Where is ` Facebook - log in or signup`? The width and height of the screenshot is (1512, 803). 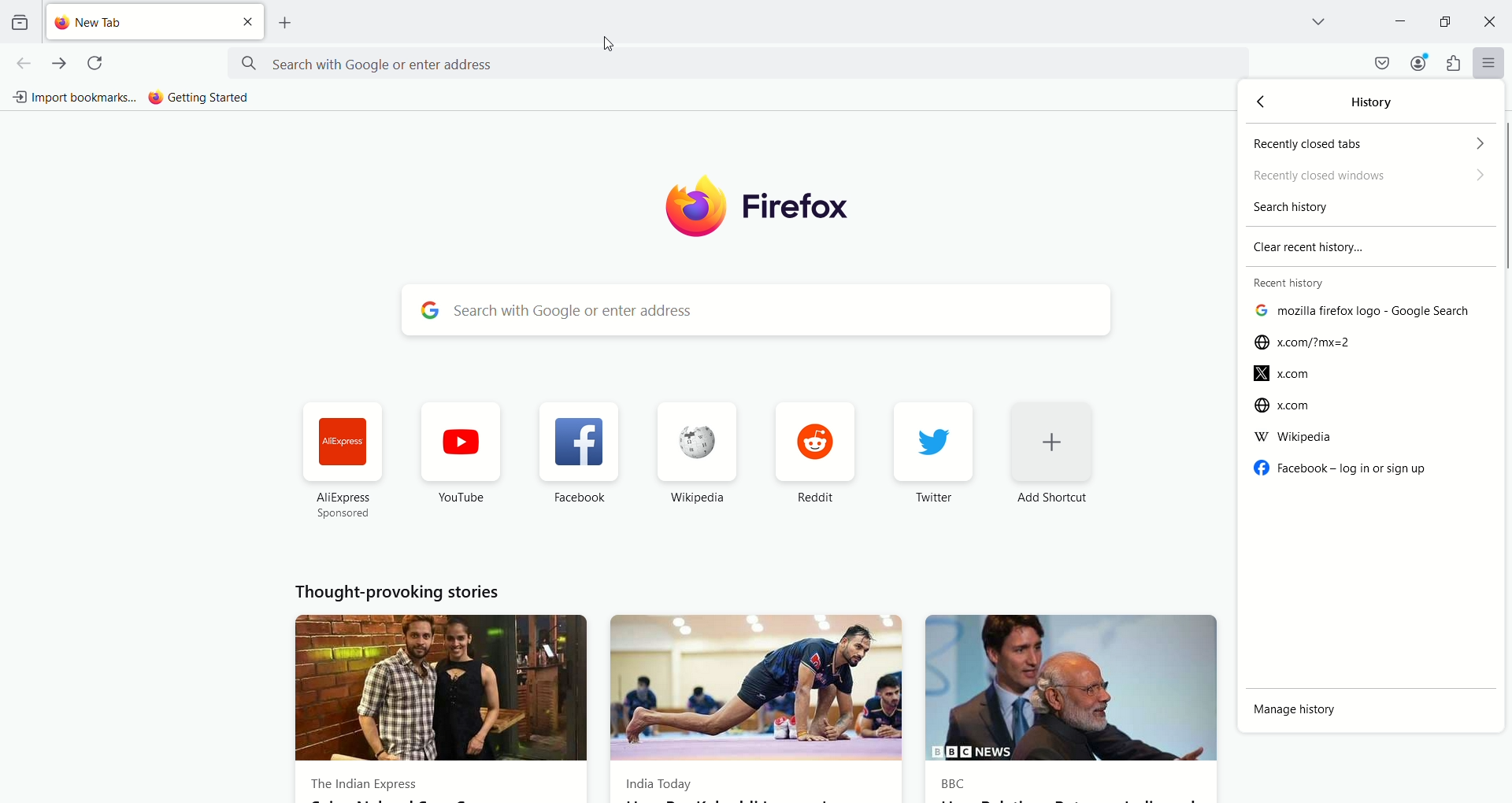
 Facebook - log in or signup is located at coordinates (1340, 468).